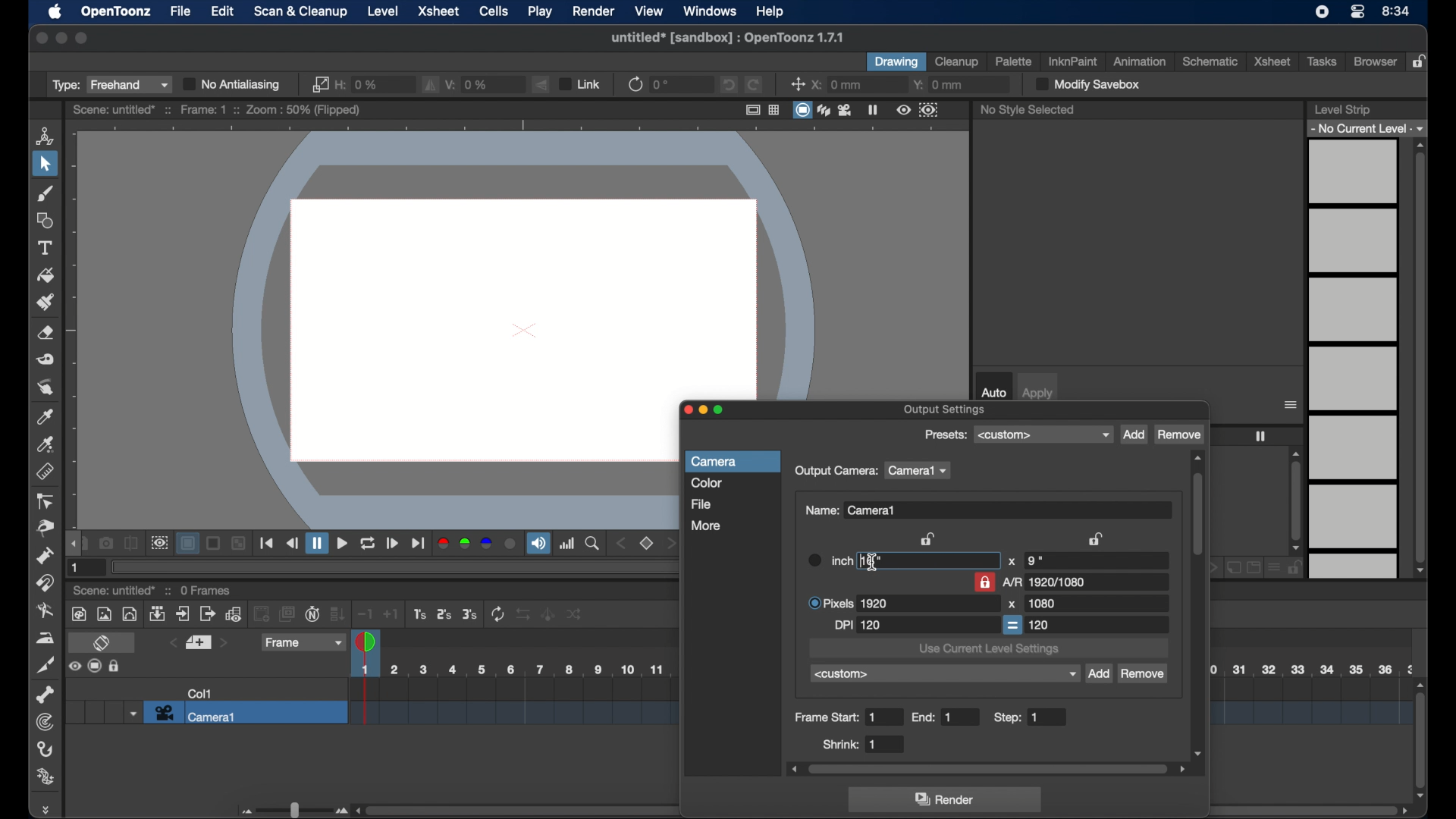 This screenshot has height=819, width=1456. What do you see at coordinates (262, 613) in the screenshot?
I see `` at bounding box center [262, 613].